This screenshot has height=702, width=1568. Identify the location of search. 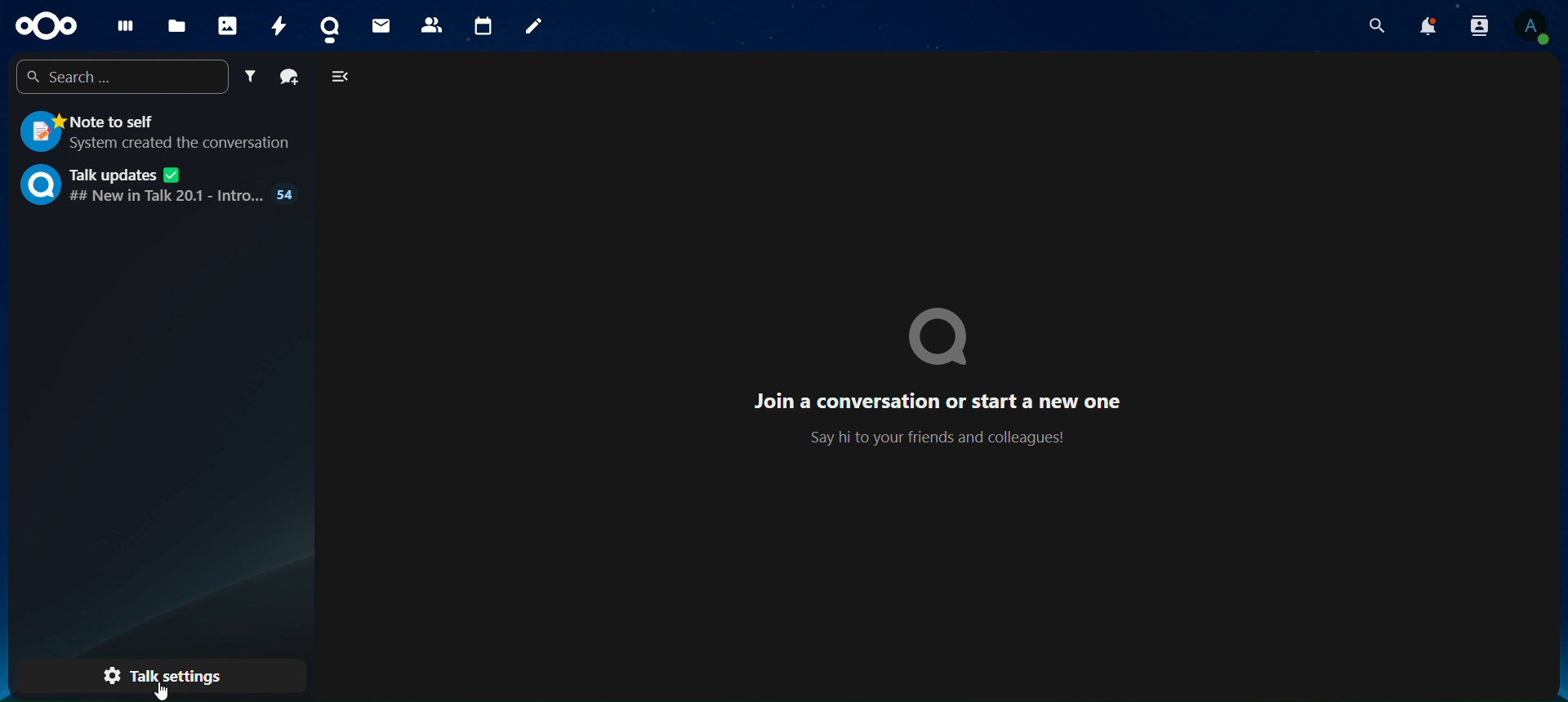
(124, 74).